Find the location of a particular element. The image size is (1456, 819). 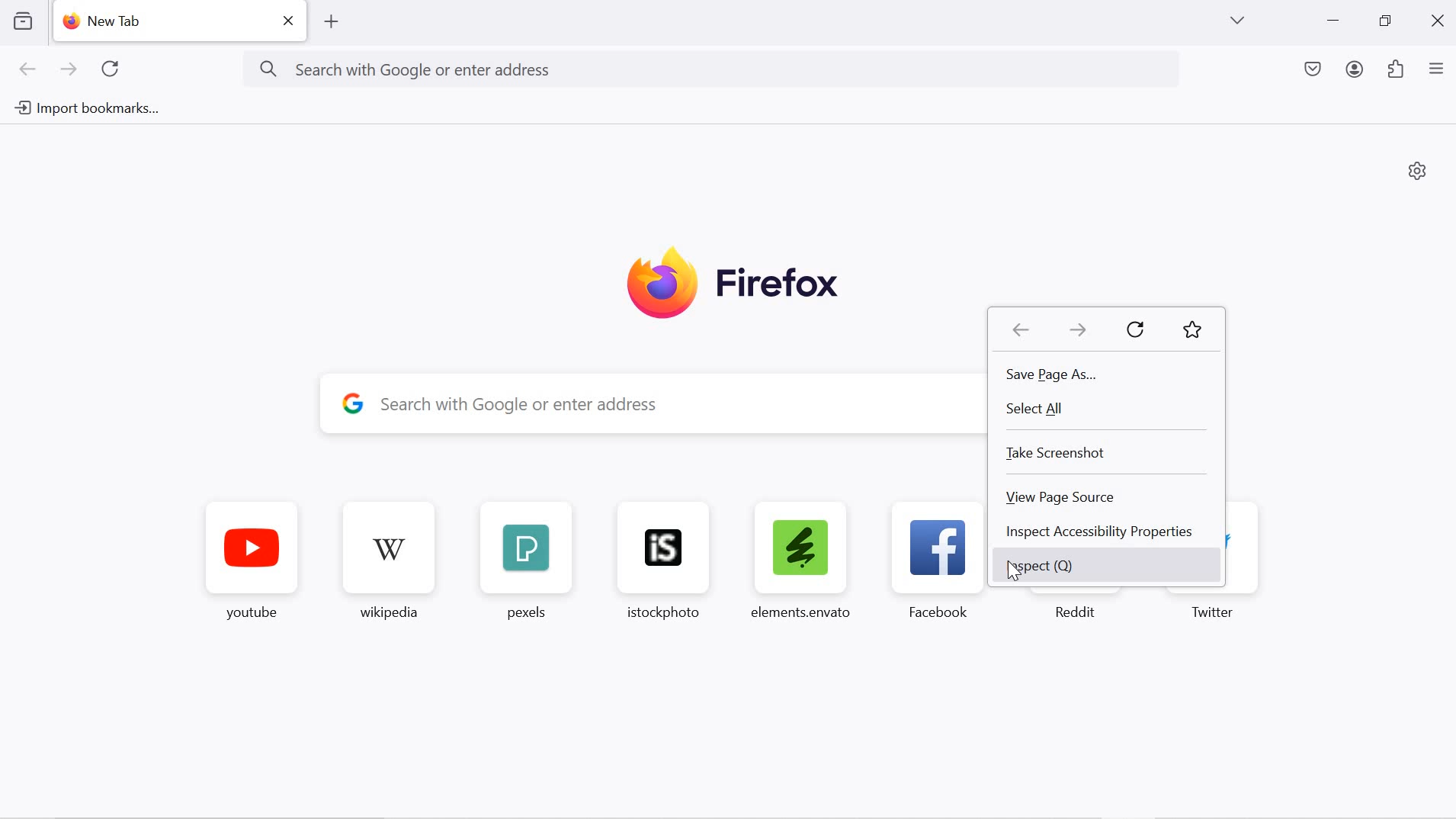

select all is located at coordinates (1107, 411).